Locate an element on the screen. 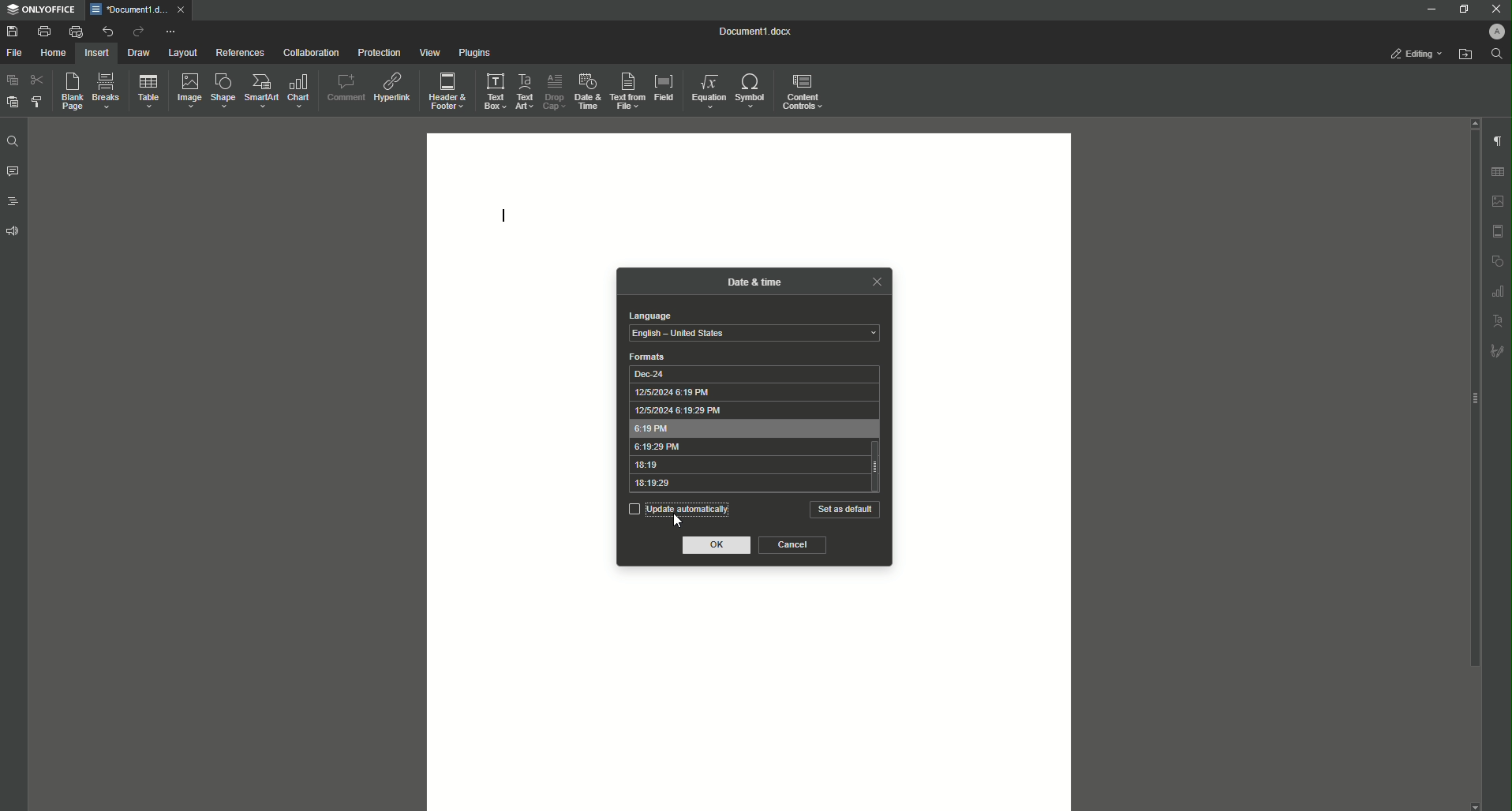  6:19 PM is located at coordinates (747, 428).